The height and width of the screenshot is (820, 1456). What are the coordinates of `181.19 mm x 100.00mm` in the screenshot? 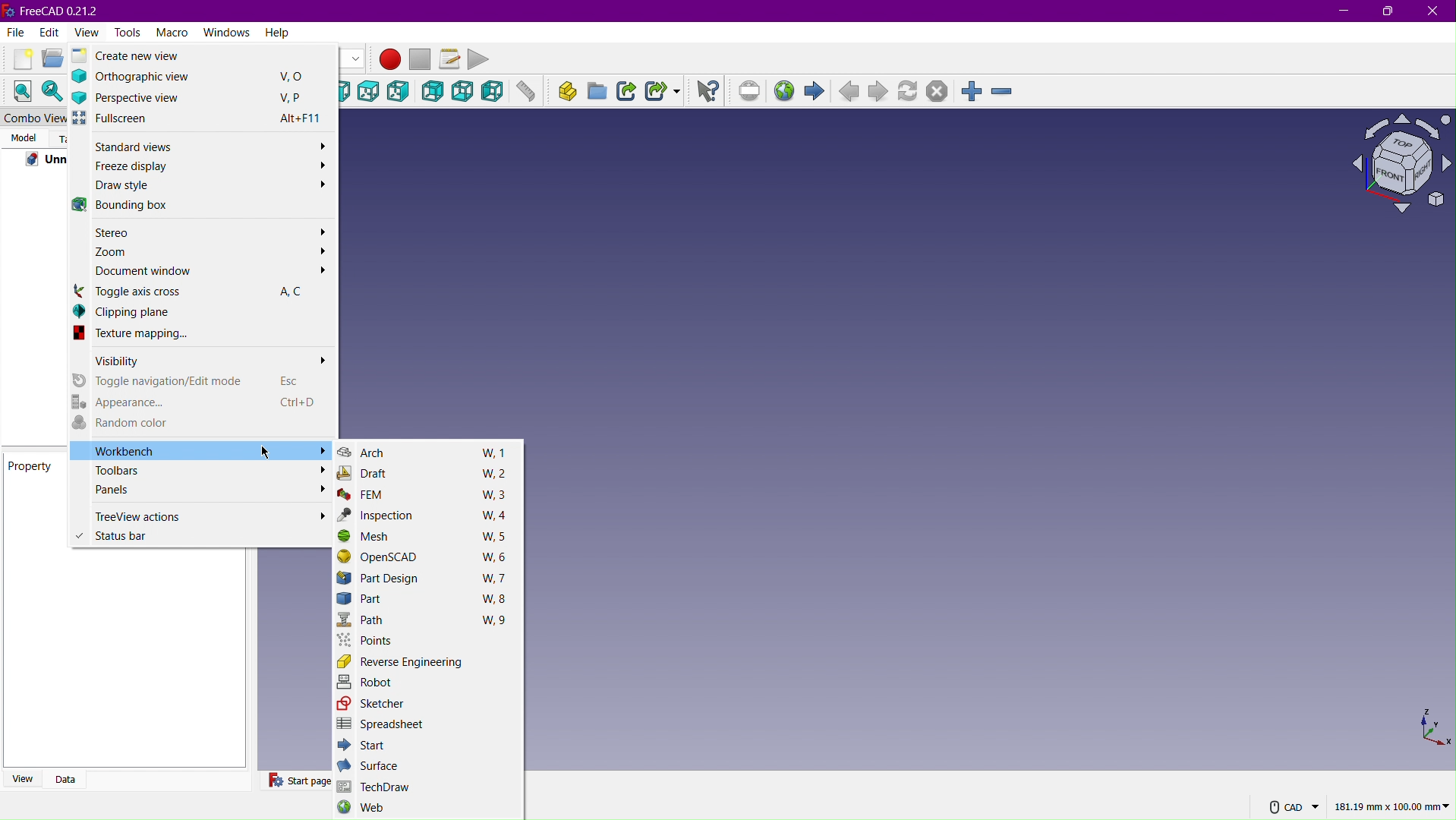 It's located at (1392, 806).